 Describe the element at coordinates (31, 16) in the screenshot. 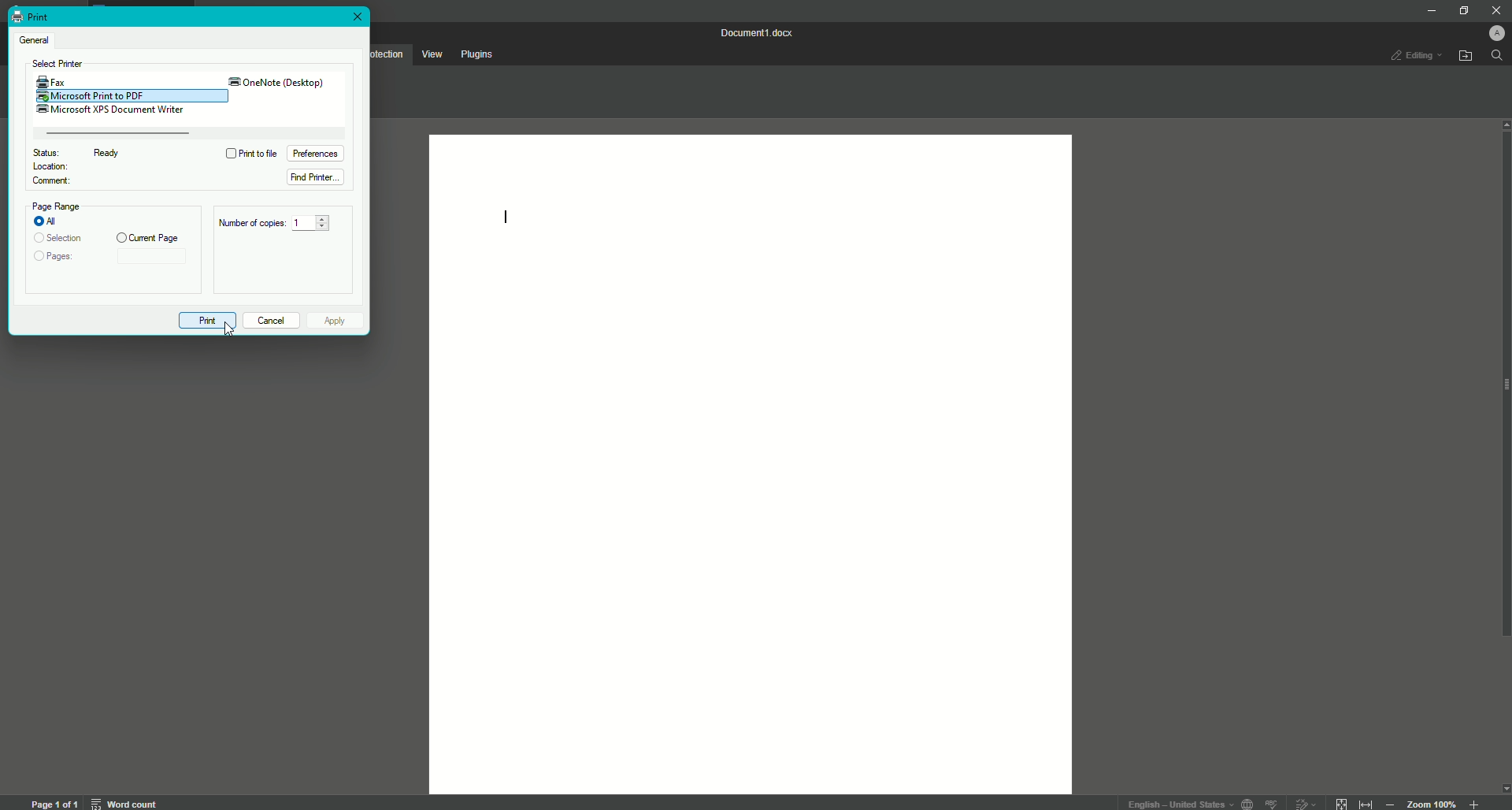

I see `Print` at that location.